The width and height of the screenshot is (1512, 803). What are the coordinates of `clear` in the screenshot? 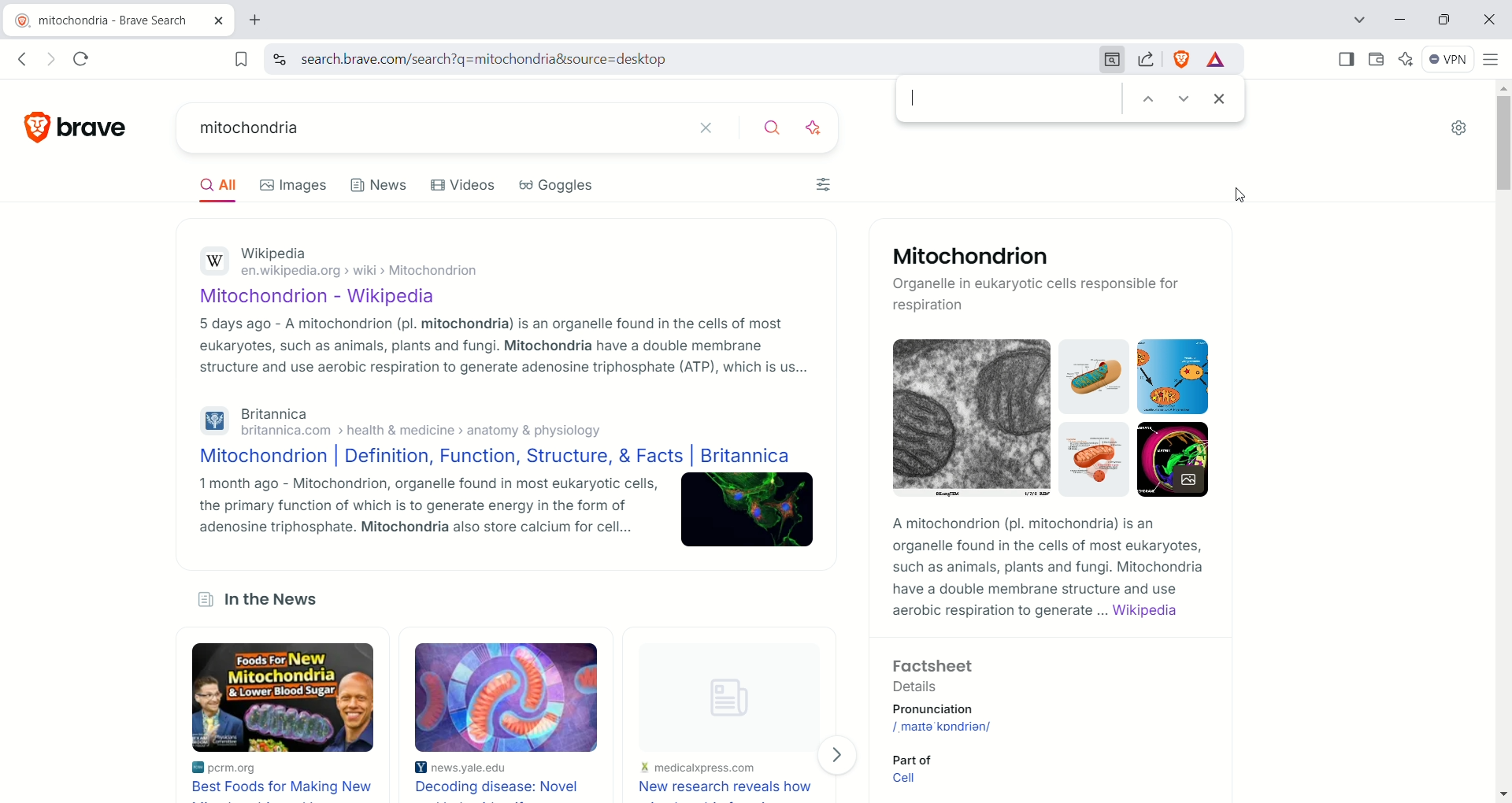 It's located at (706, 125).